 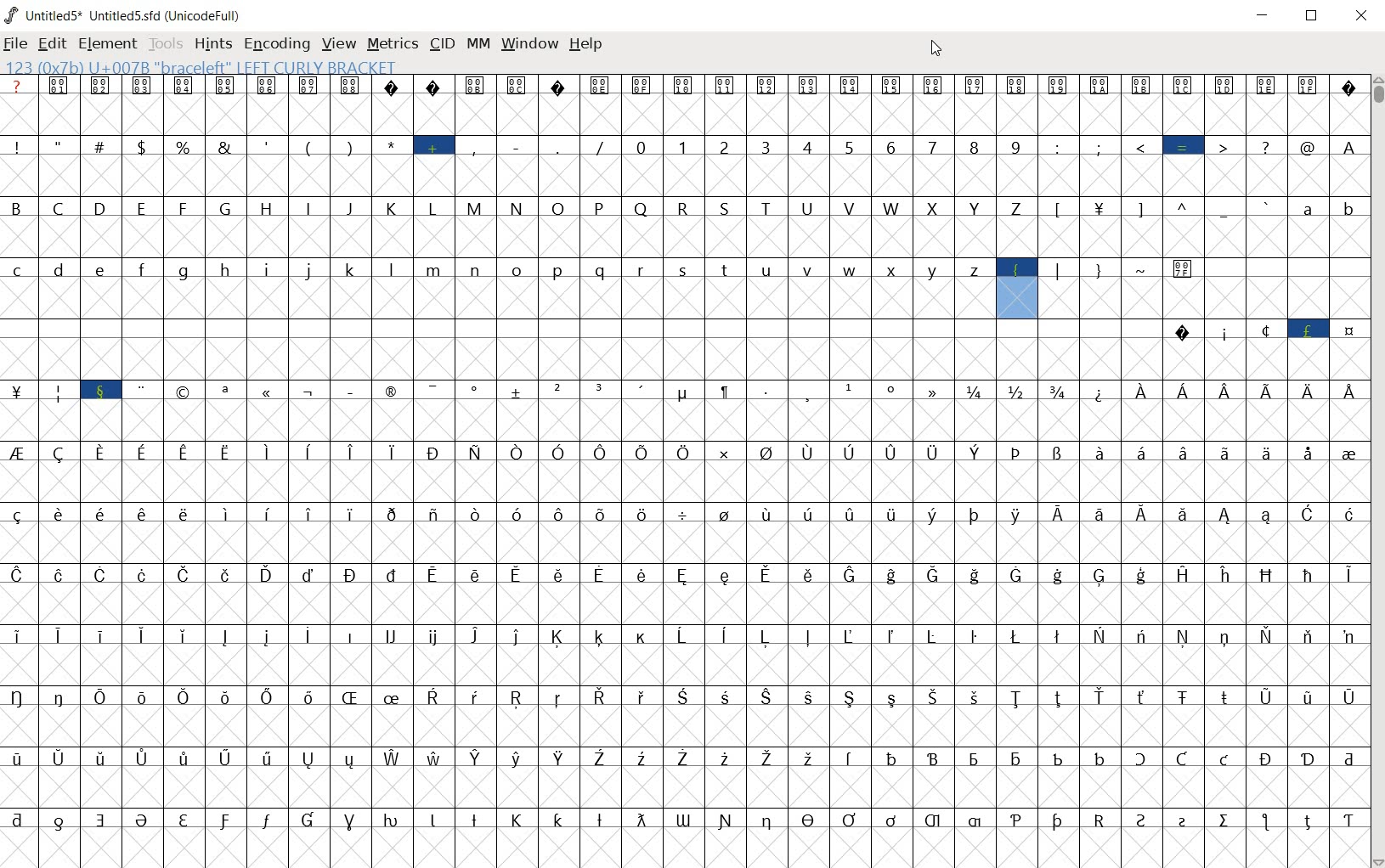 I want to click on CID, so click(x=442, y=44).